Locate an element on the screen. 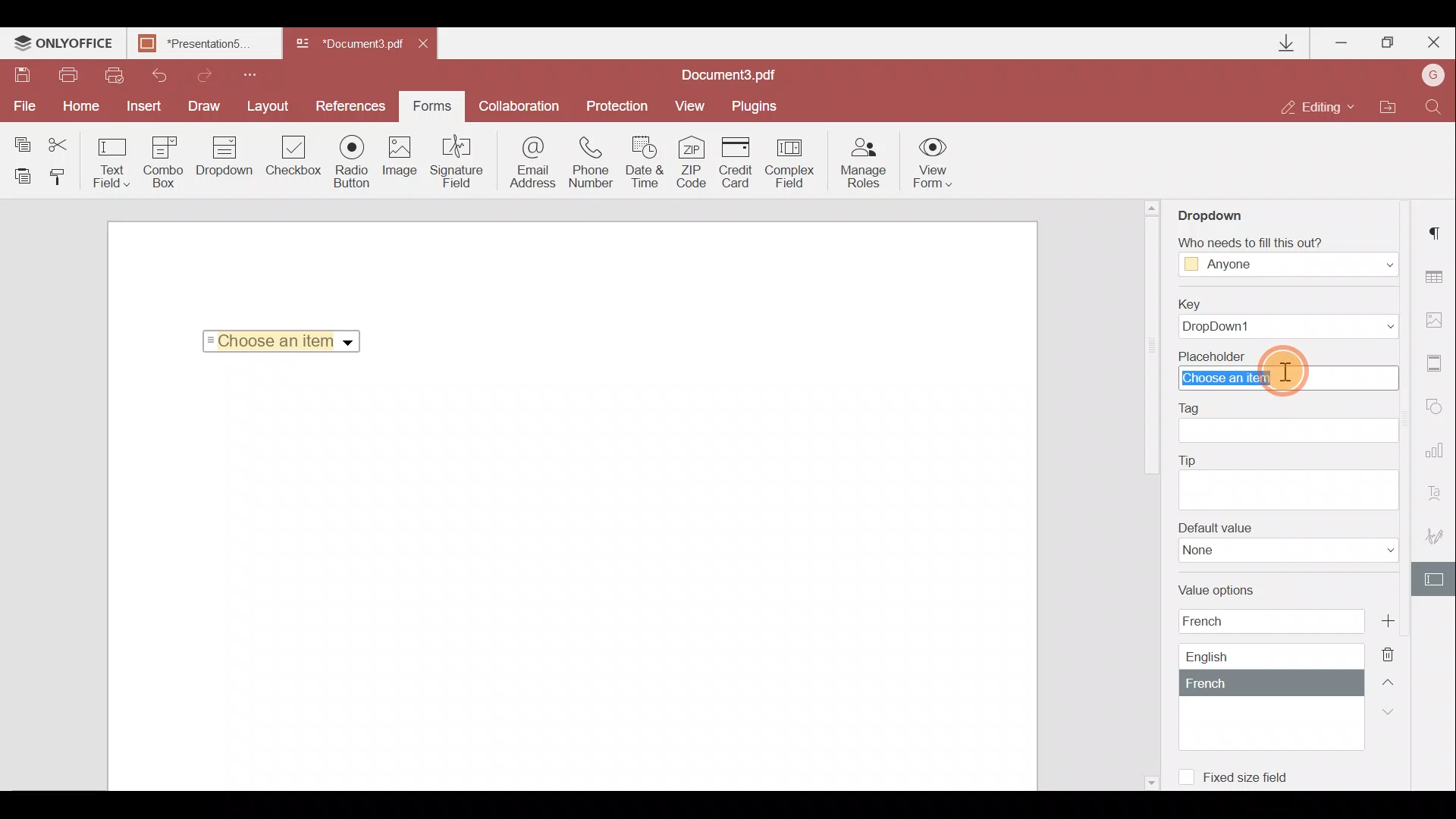  Downloads is located at coordinates (1288, 43).